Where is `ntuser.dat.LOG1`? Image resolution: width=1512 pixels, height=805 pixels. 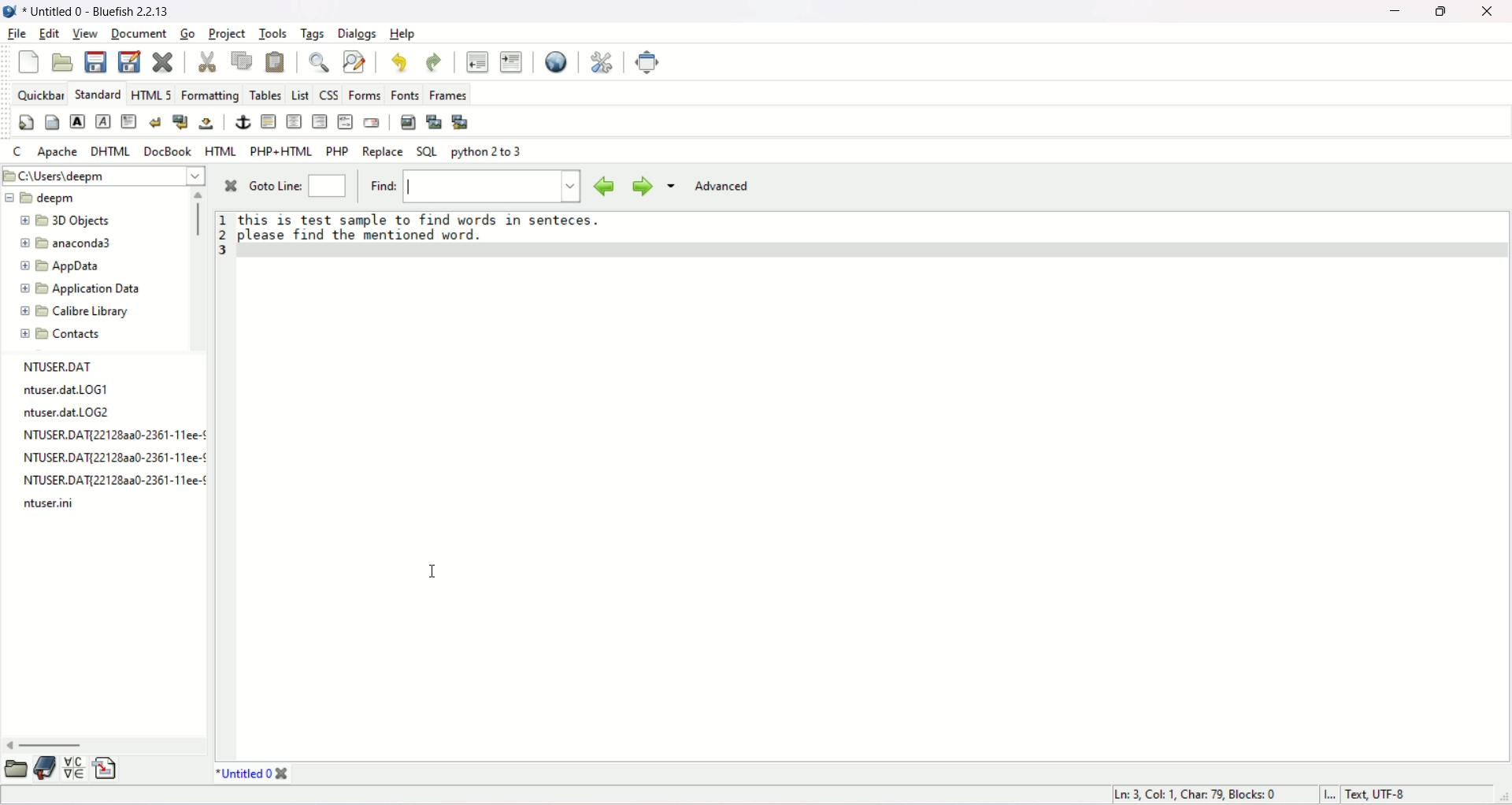 ntuser.dat.LOG1 is located at coordinates (66, 391).